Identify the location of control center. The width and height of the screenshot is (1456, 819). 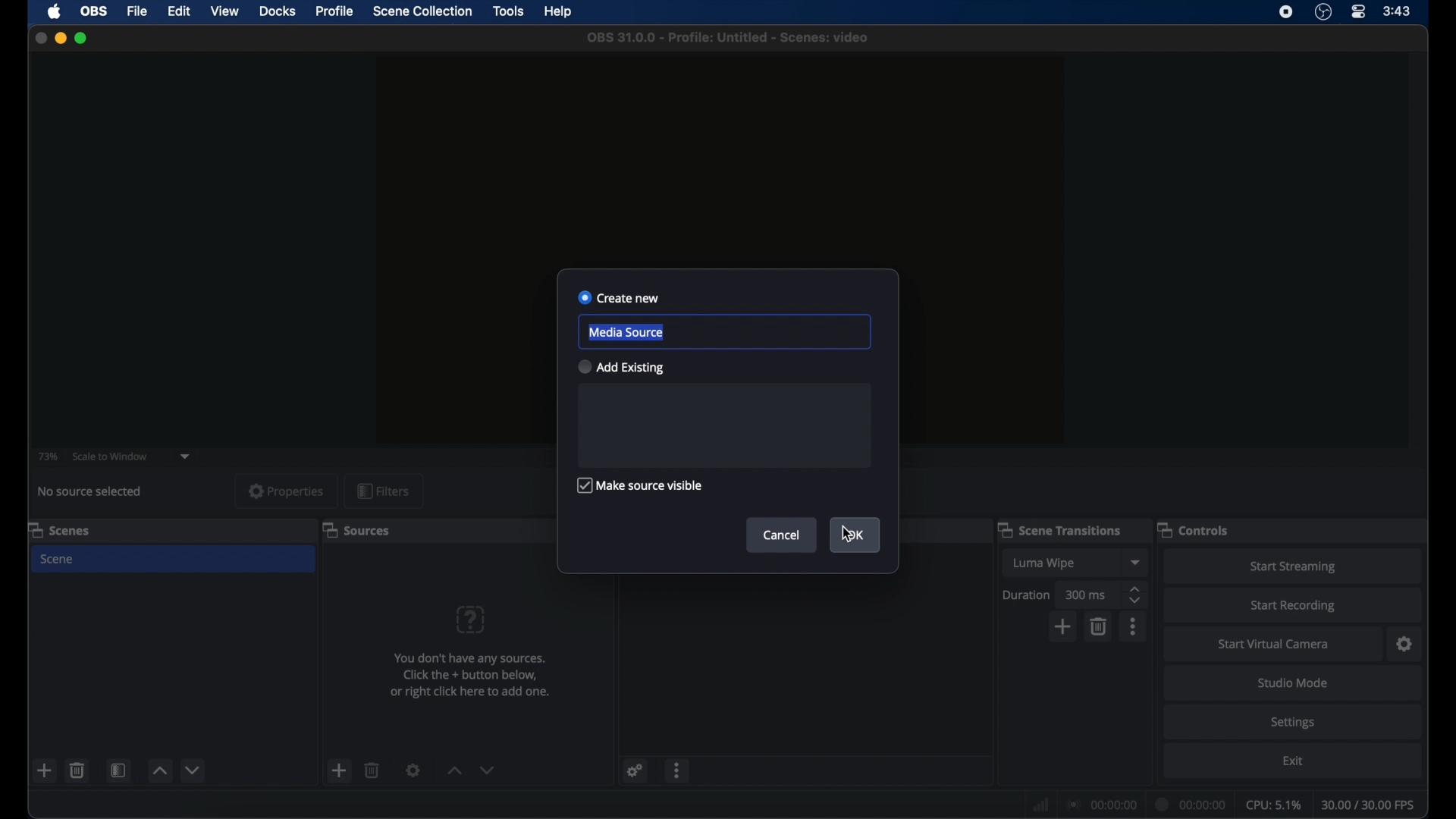
(1357, 11).